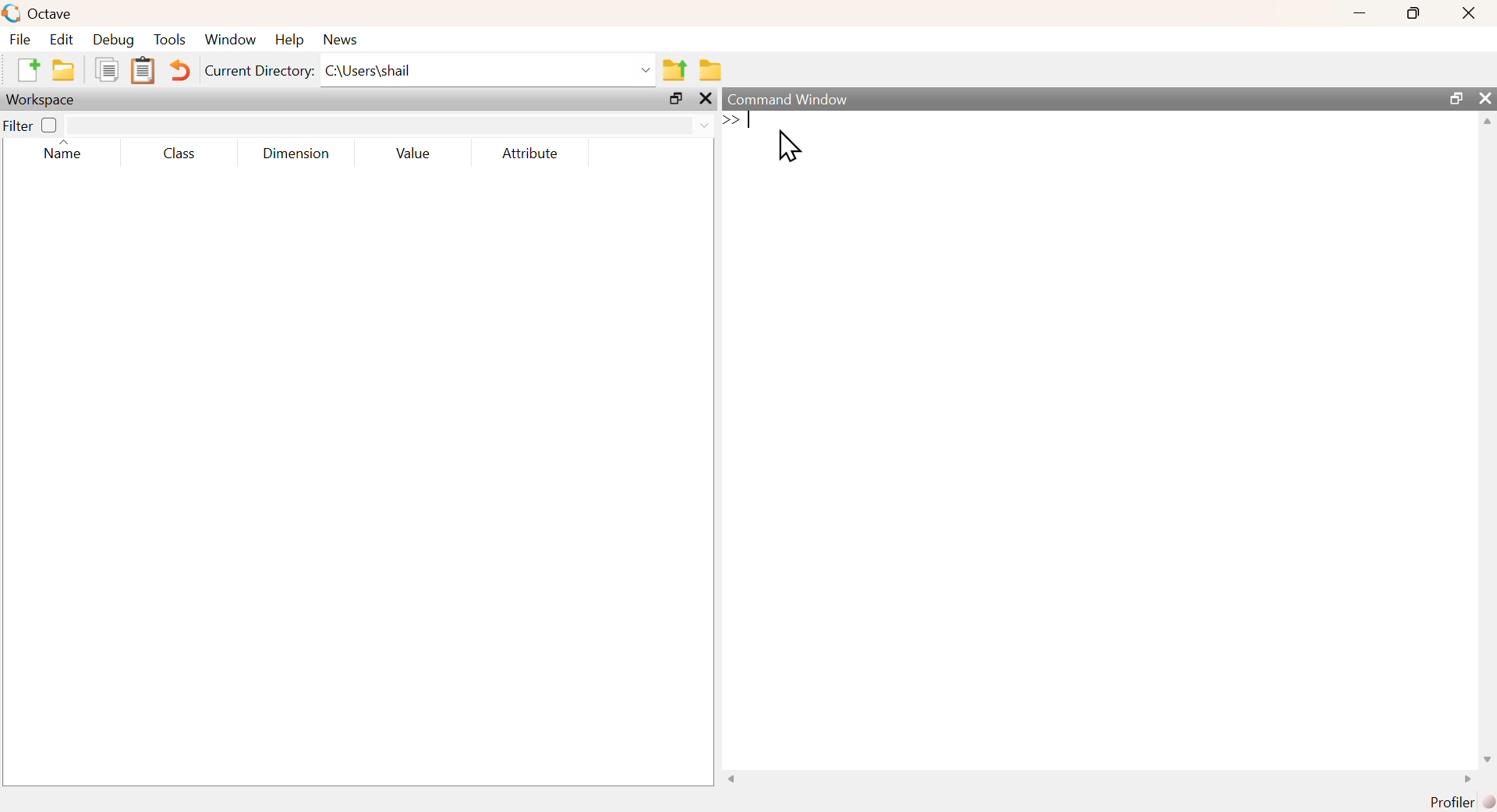 The width and height of the screenshot is (1497, 812). I want to click on Cursor, so click(793, 148).